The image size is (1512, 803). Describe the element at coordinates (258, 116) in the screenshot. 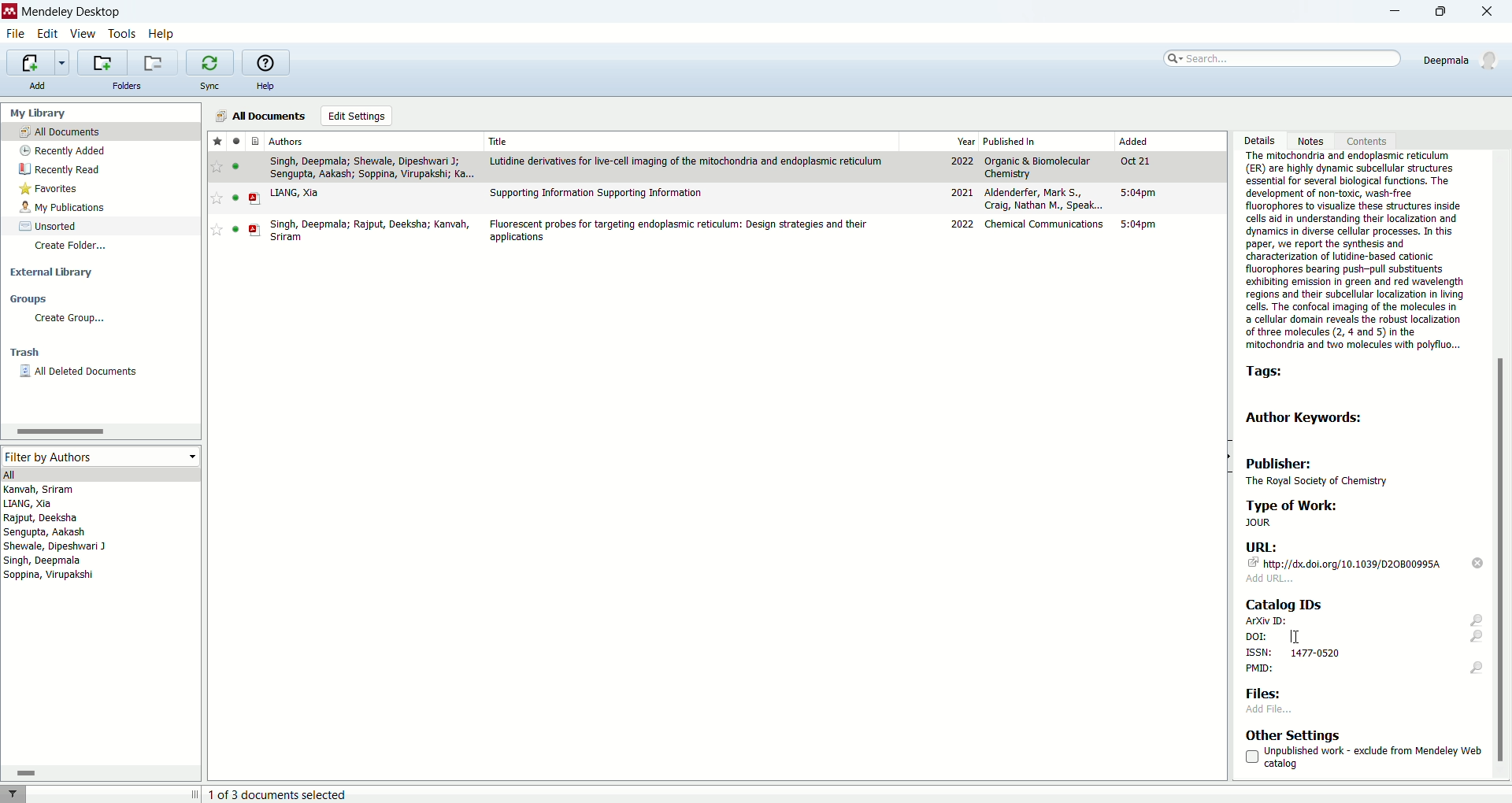

I see `all documents` at that location.